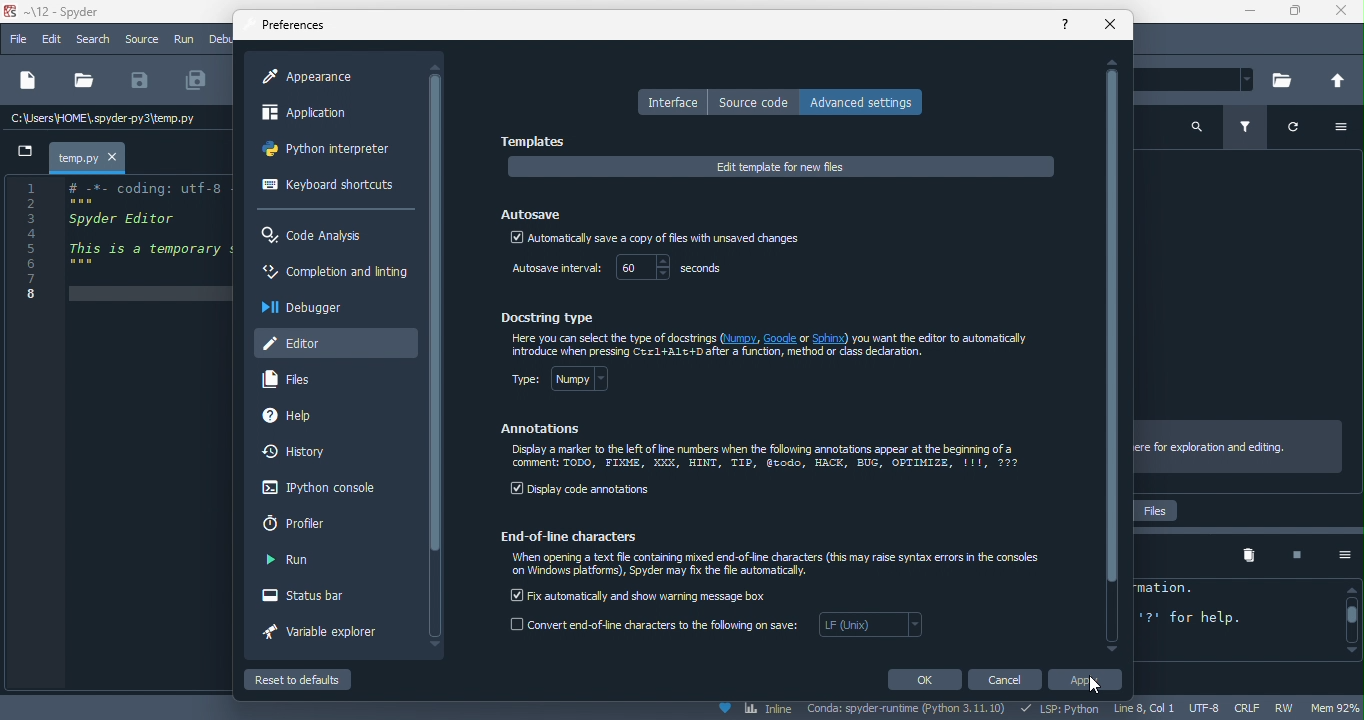  Describe the element at coordinates (26, 82) in the screenshot. I see `new` at that location.